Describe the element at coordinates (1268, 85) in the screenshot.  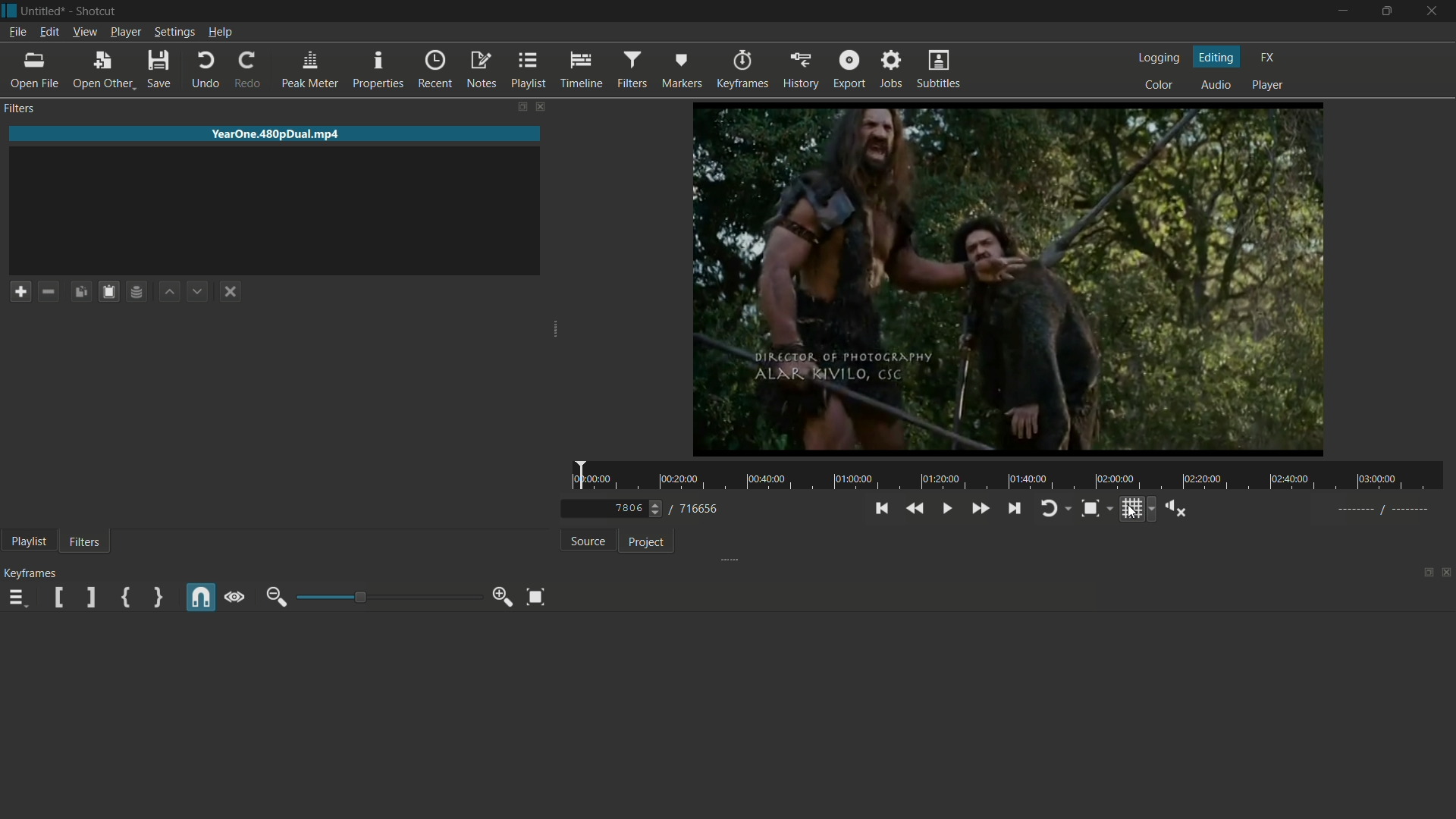
I see `player` at that location.